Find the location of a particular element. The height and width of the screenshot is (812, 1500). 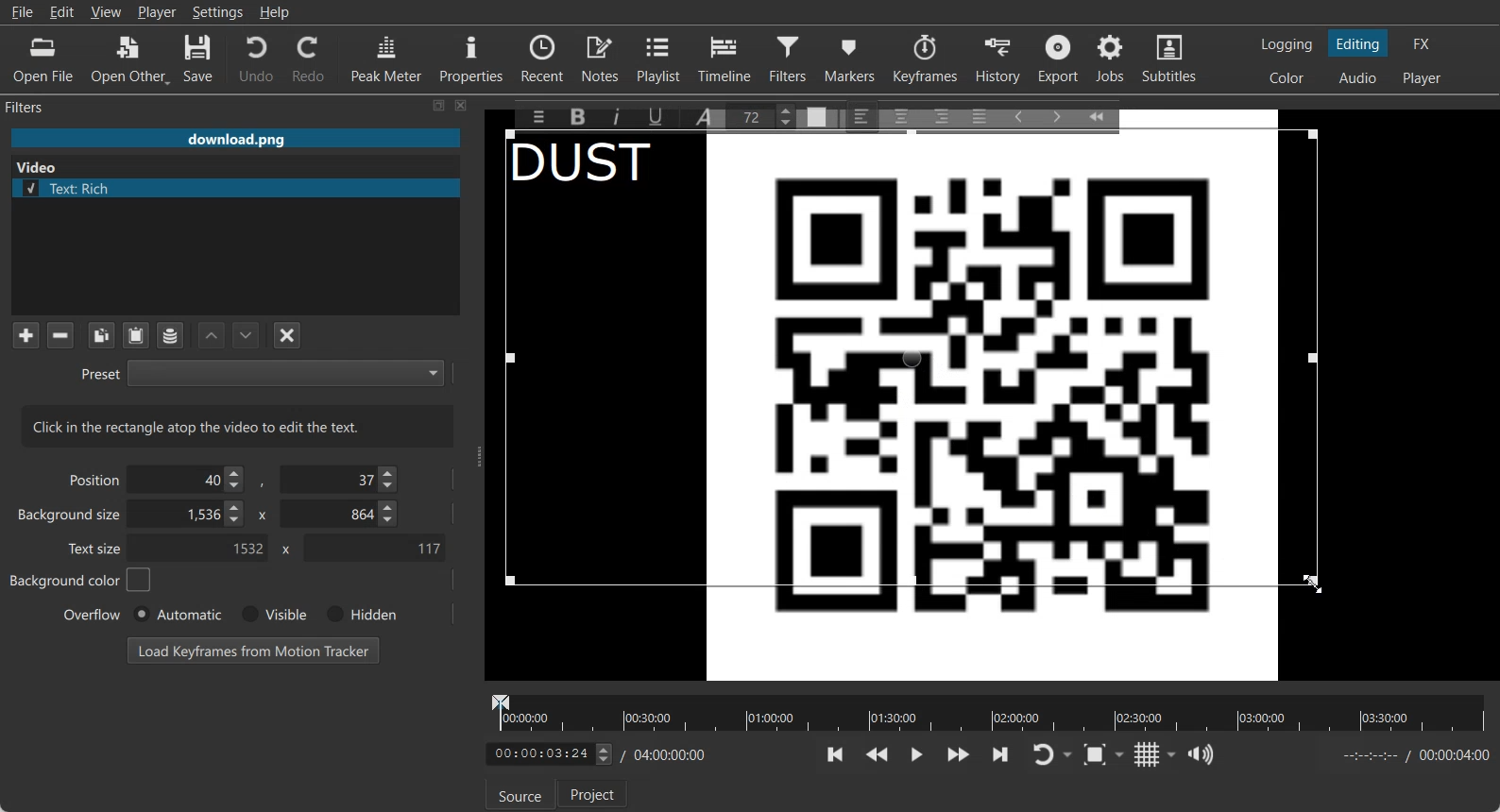

Text Color is located at coordinates (817, 115).